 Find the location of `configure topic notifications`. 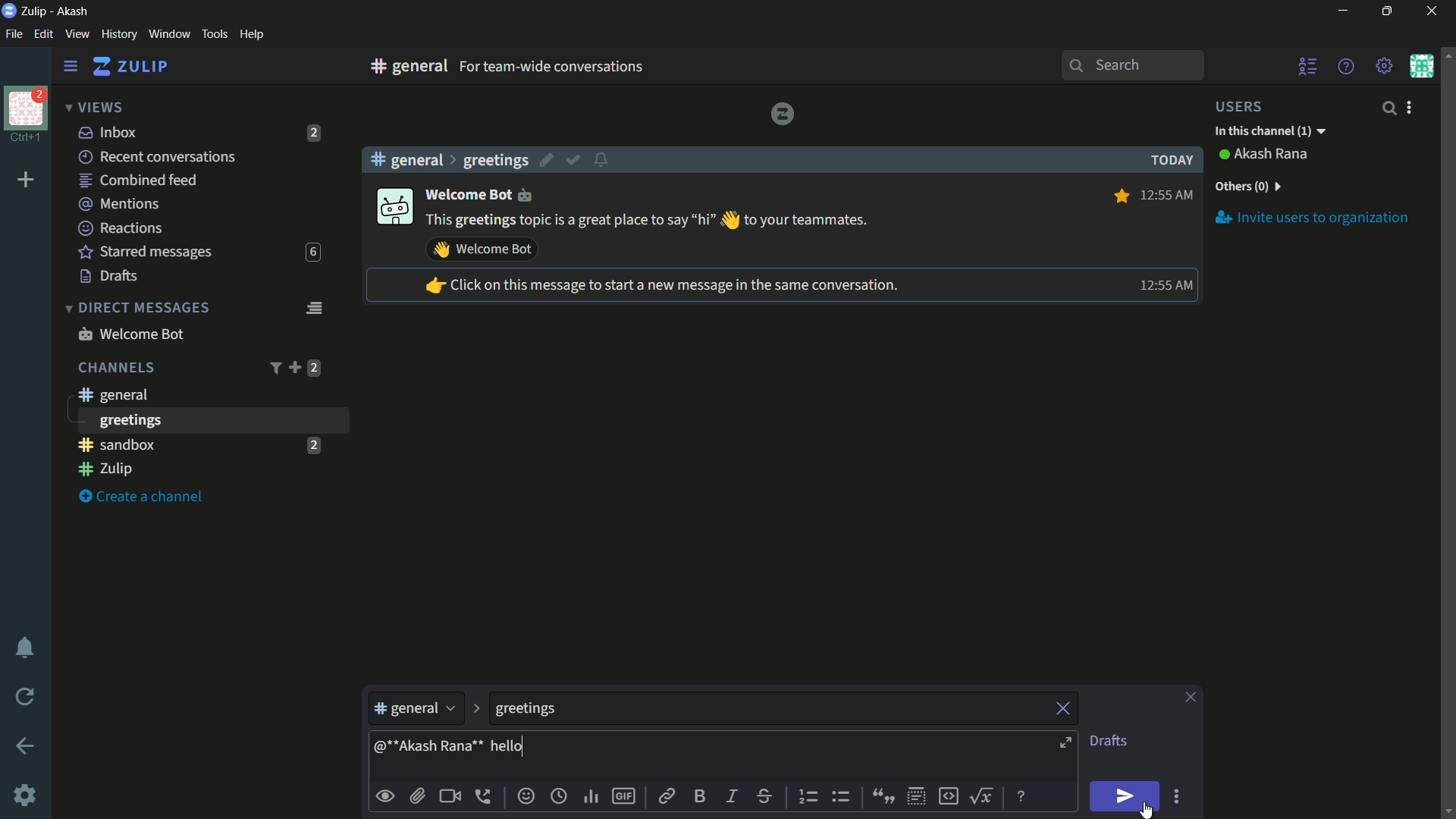

configure topic notifications is located at coordinates (604, 158).